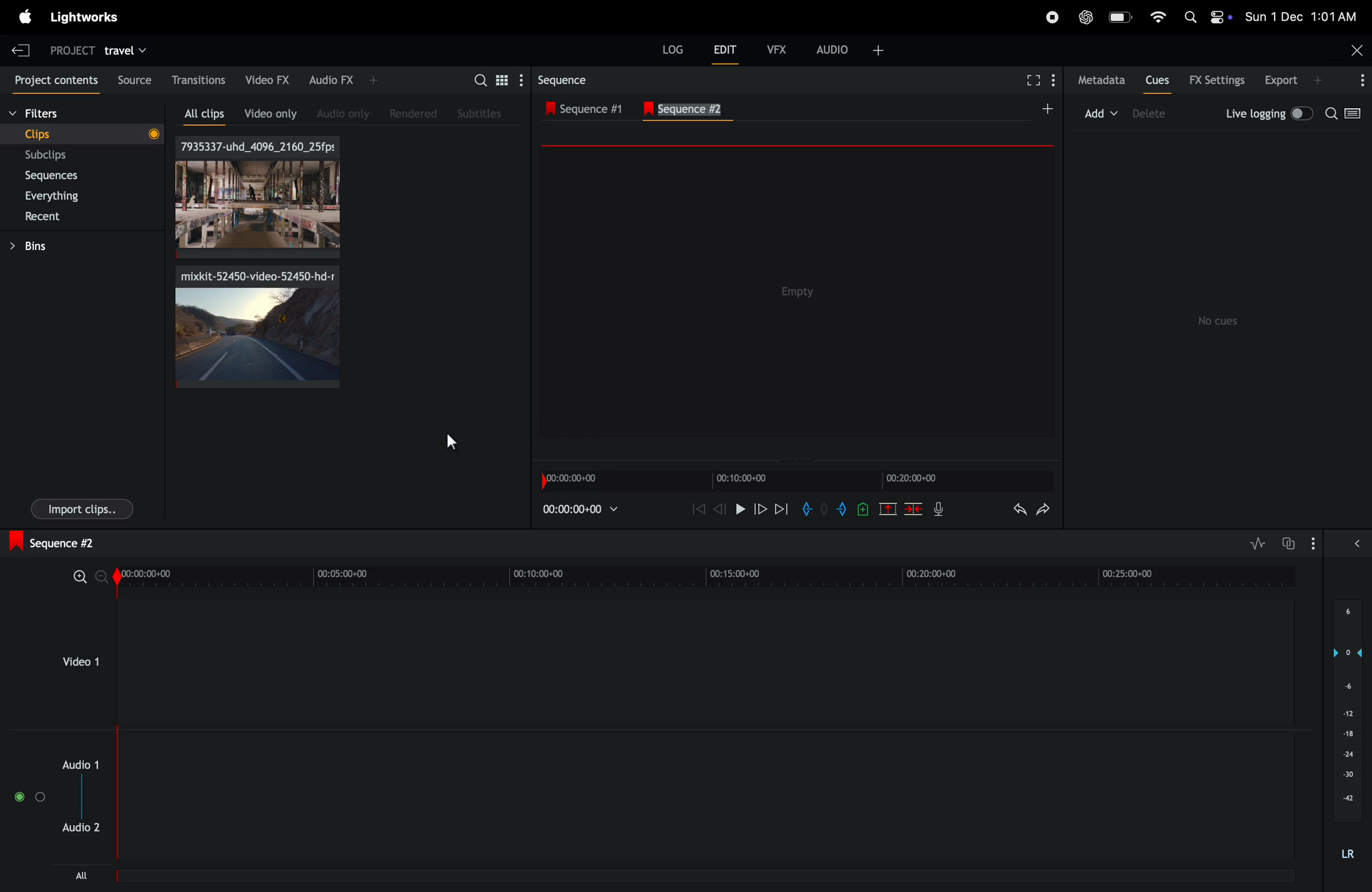  What do you see at coordinates (673, 50) in the screenshot?
I see `LOG` at bounding box center [673, 50].